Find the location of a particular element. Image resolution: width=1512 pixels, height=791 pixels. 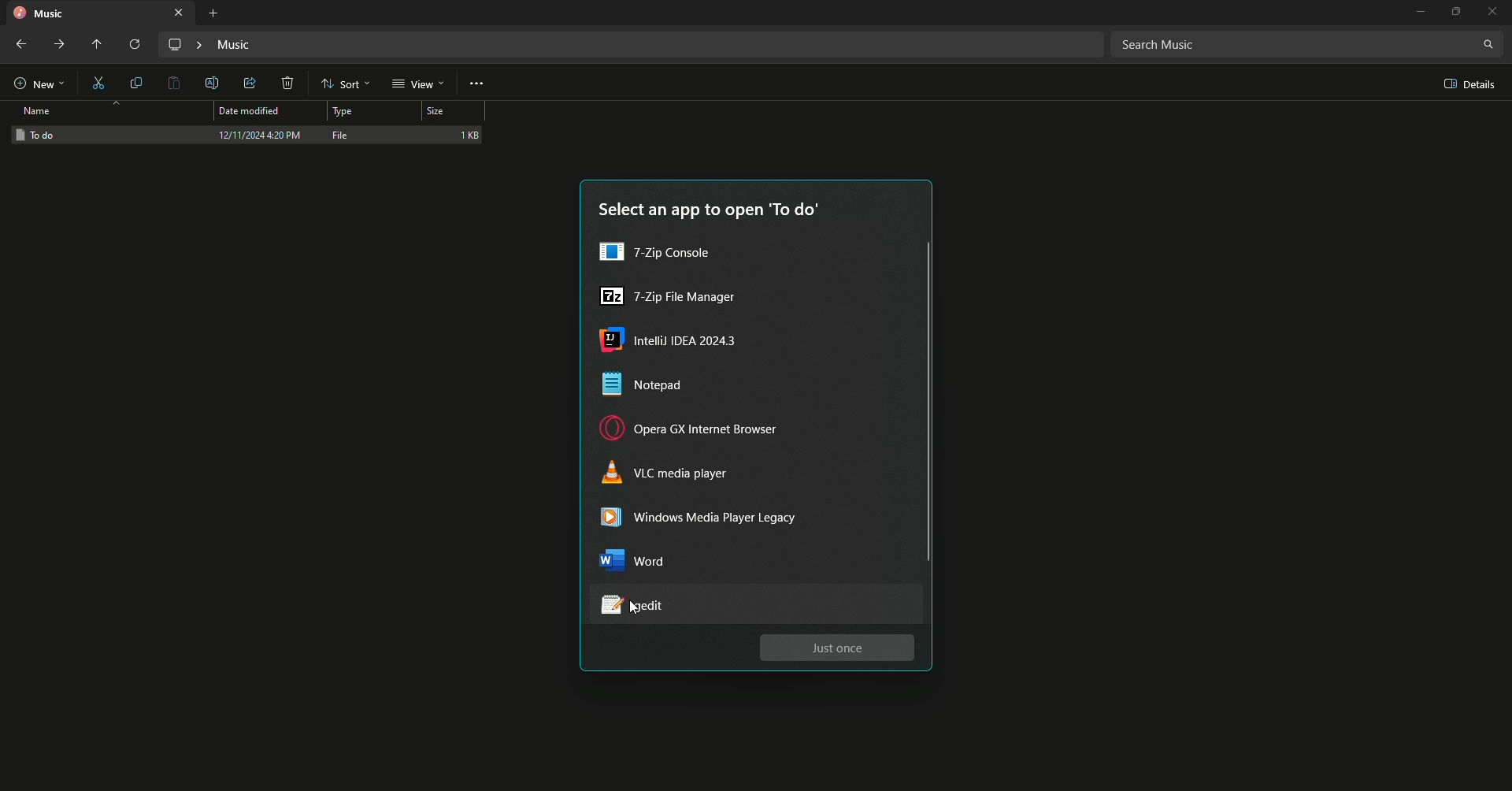

7-zip file manager is located at coordinates (668, 298).